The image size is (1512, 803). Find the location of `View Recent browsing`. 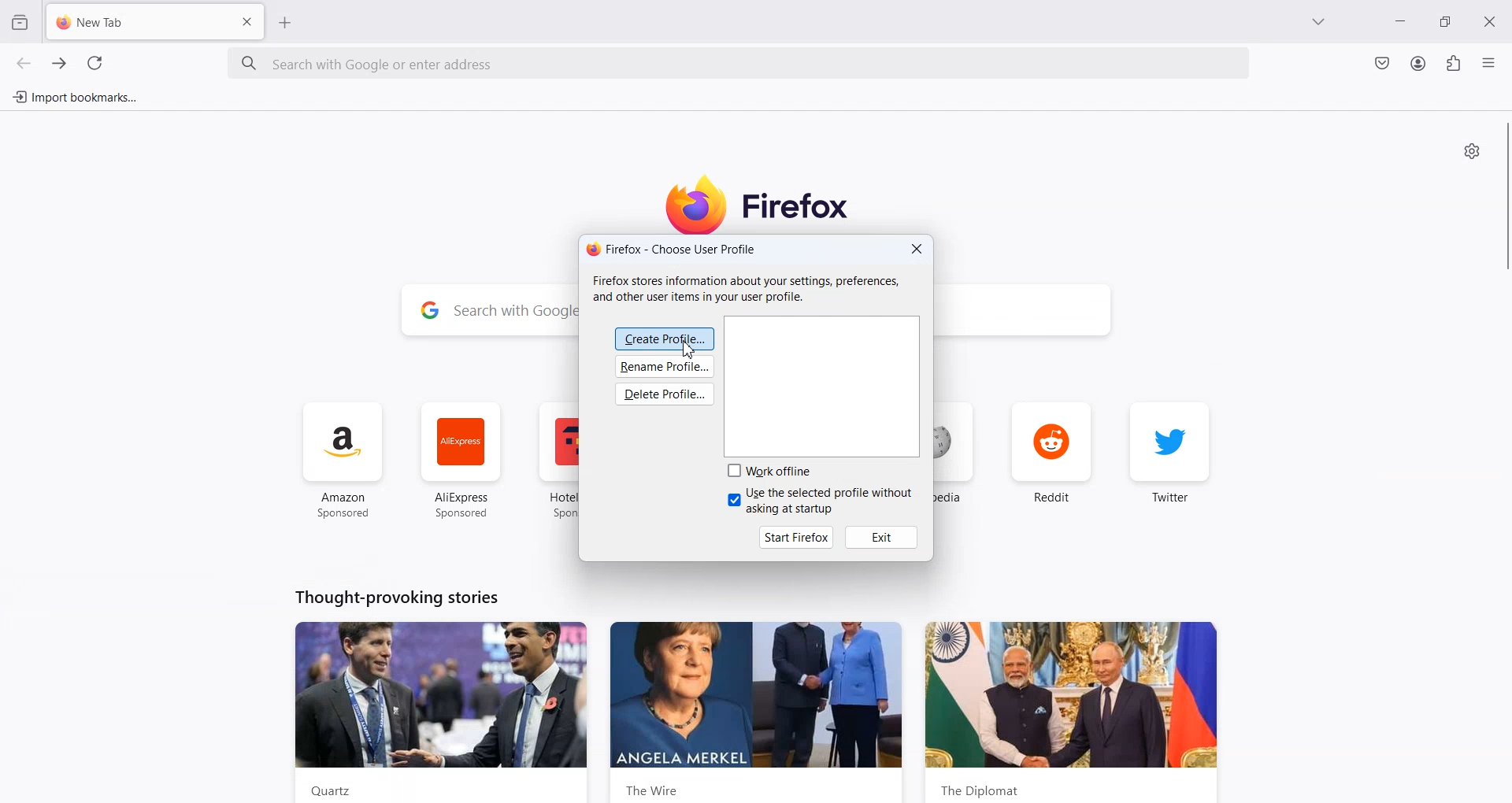

View Recent browsing is located at coordinates (20, 21).